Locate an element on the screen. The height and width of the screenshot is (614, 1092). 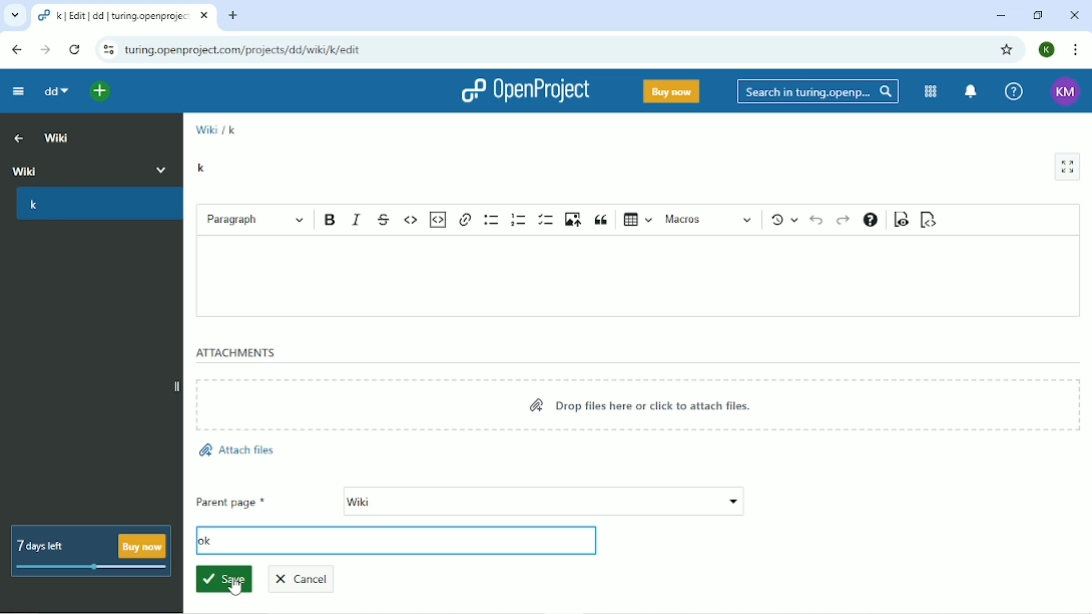
Macros is located at coordinates (709, 220).